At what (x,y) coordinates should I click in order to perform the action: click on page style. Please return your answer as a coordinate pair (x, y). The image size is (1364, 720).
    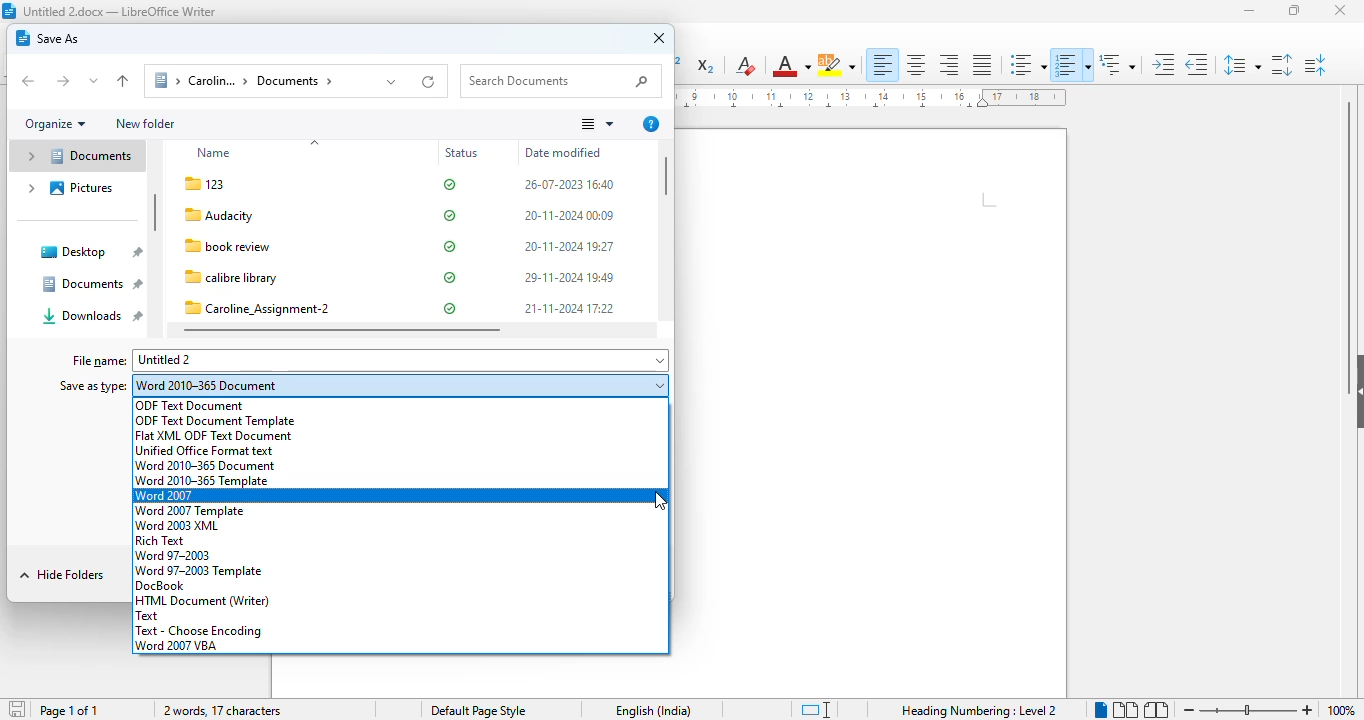
    Looking at the image, I should click on (479, 710).